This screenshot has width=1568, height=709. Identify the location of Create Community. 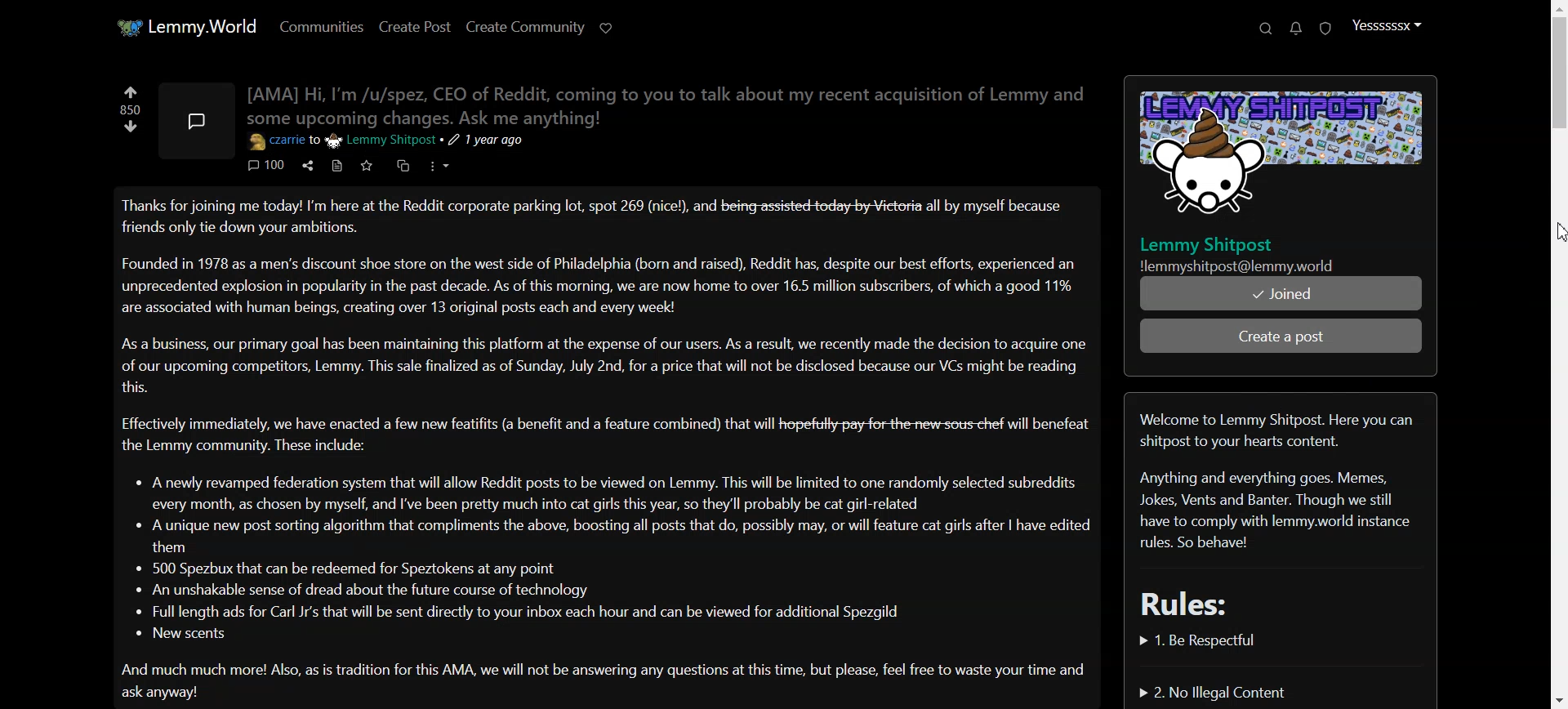
(525, 27).